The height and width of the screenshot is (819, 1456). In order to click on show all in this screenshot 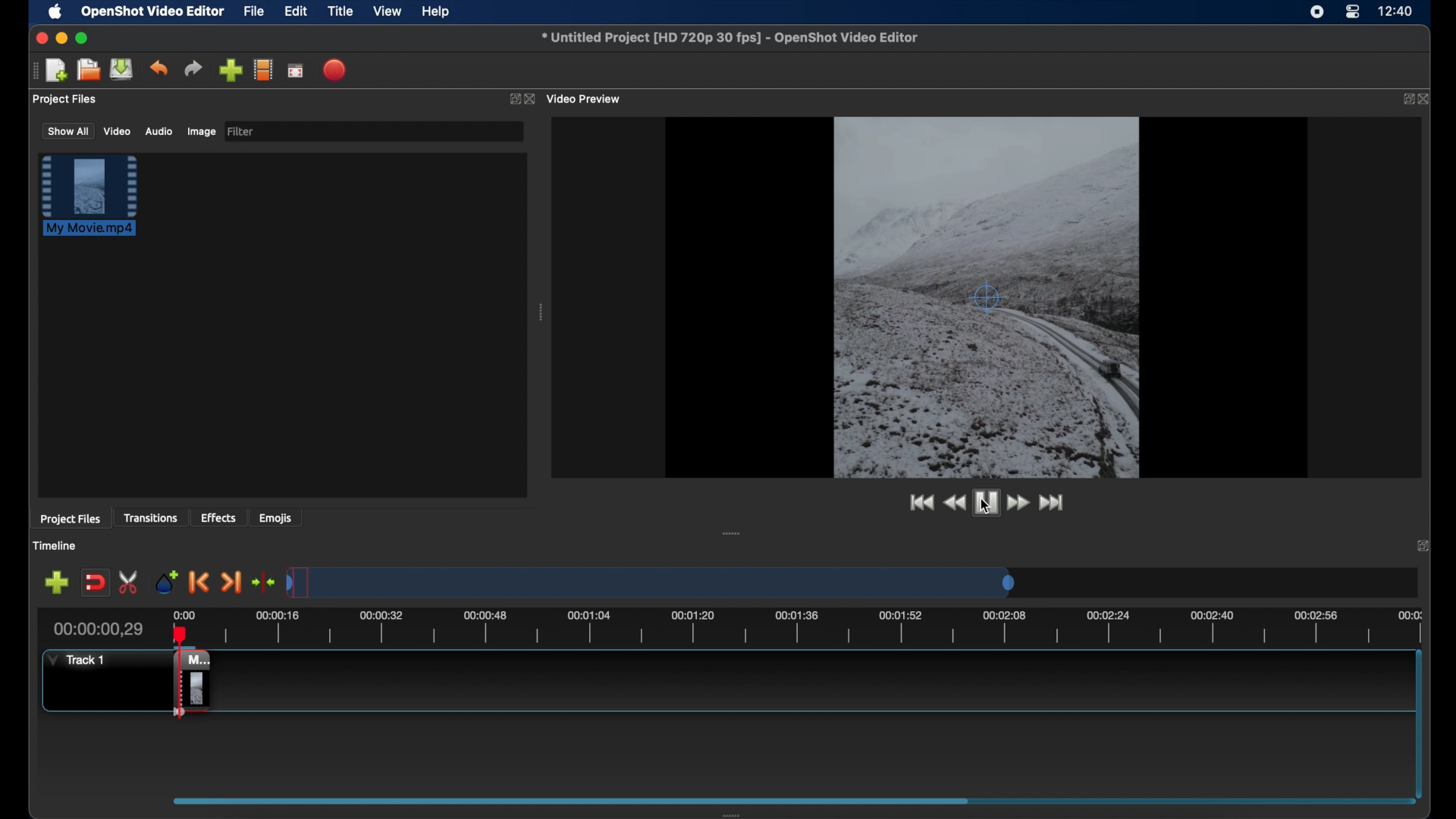, I will do `click(67, 130)`.